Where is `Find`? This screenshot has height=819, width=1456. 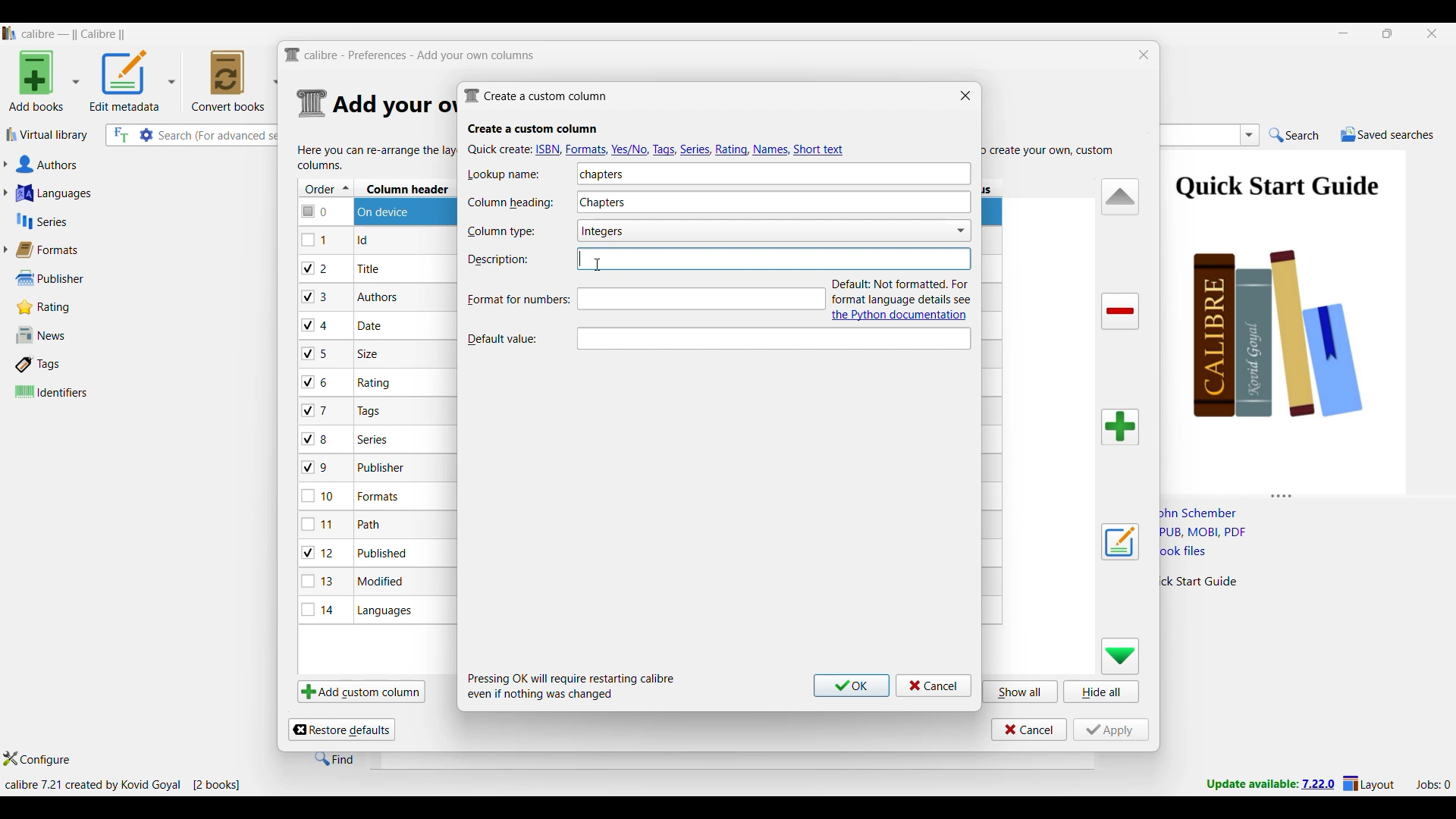 Find is located at coordinates (334, 758).